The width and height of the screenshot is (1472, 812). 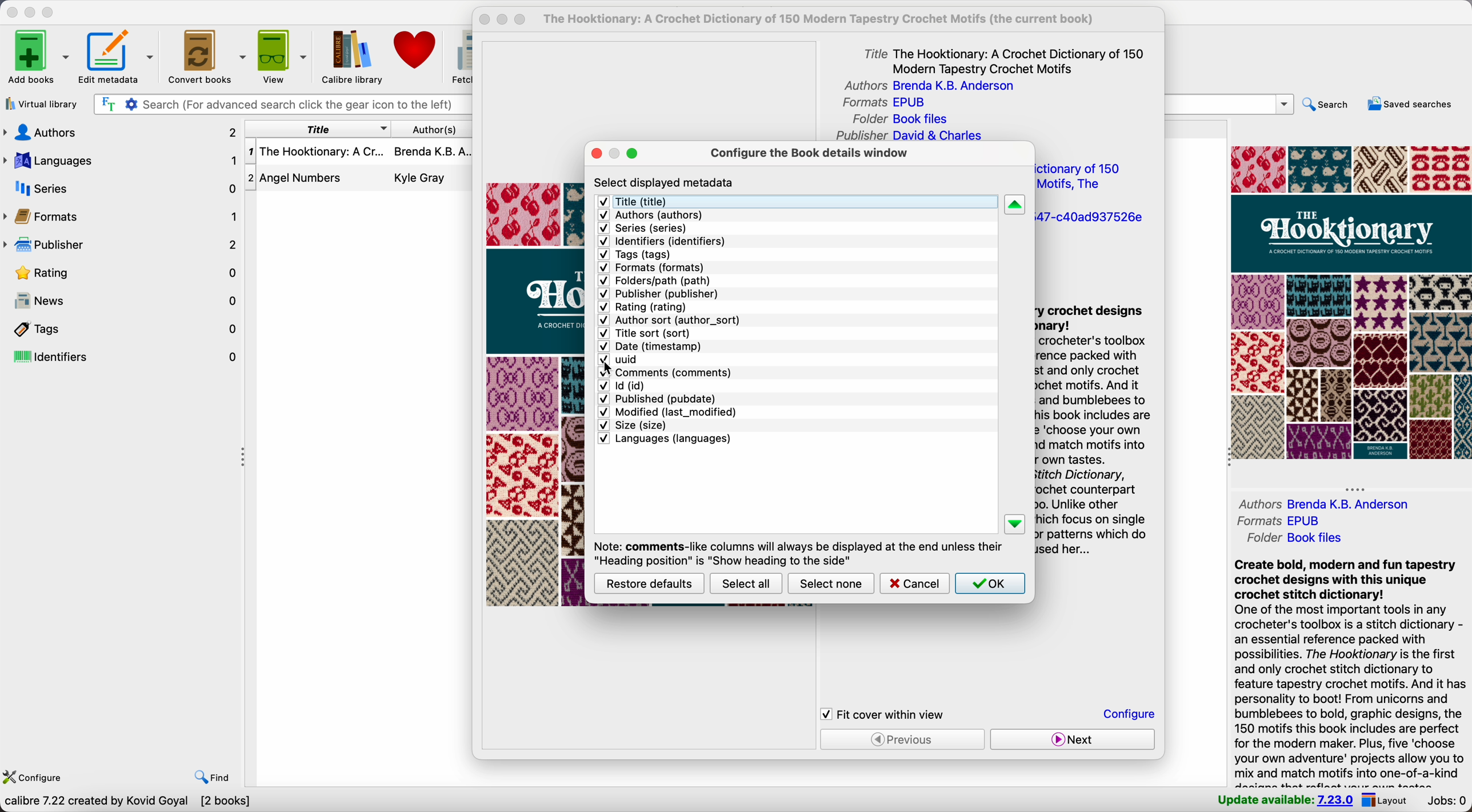 I want to click on identifiers, so click(x=664, y=241).